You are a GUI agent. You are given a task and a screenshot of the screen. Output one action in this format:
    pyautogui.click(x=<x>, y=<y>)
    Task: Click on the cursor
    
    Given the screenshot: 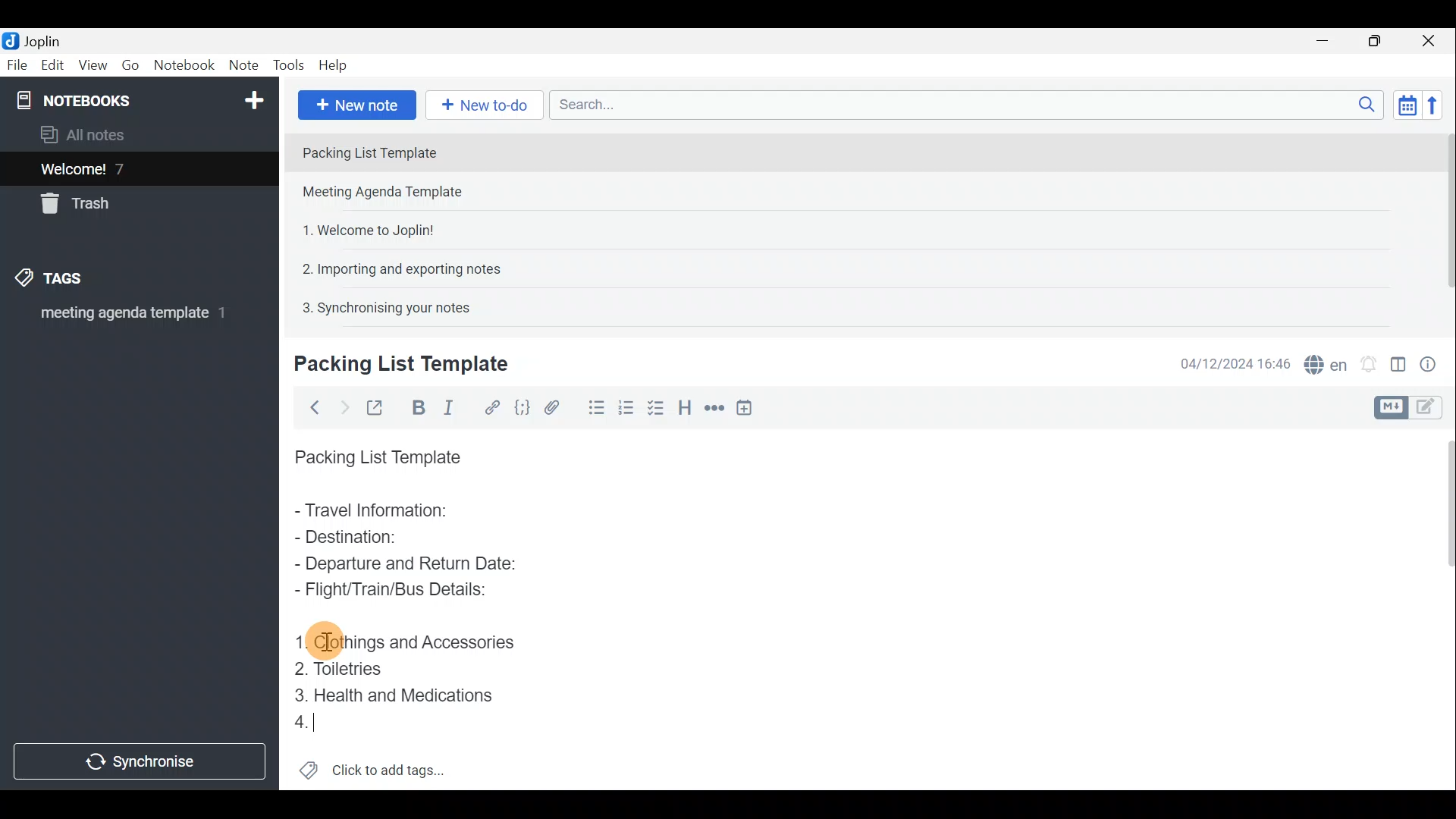 What is the action you would take?
    pyautogui.click(x=327, y=641)
    